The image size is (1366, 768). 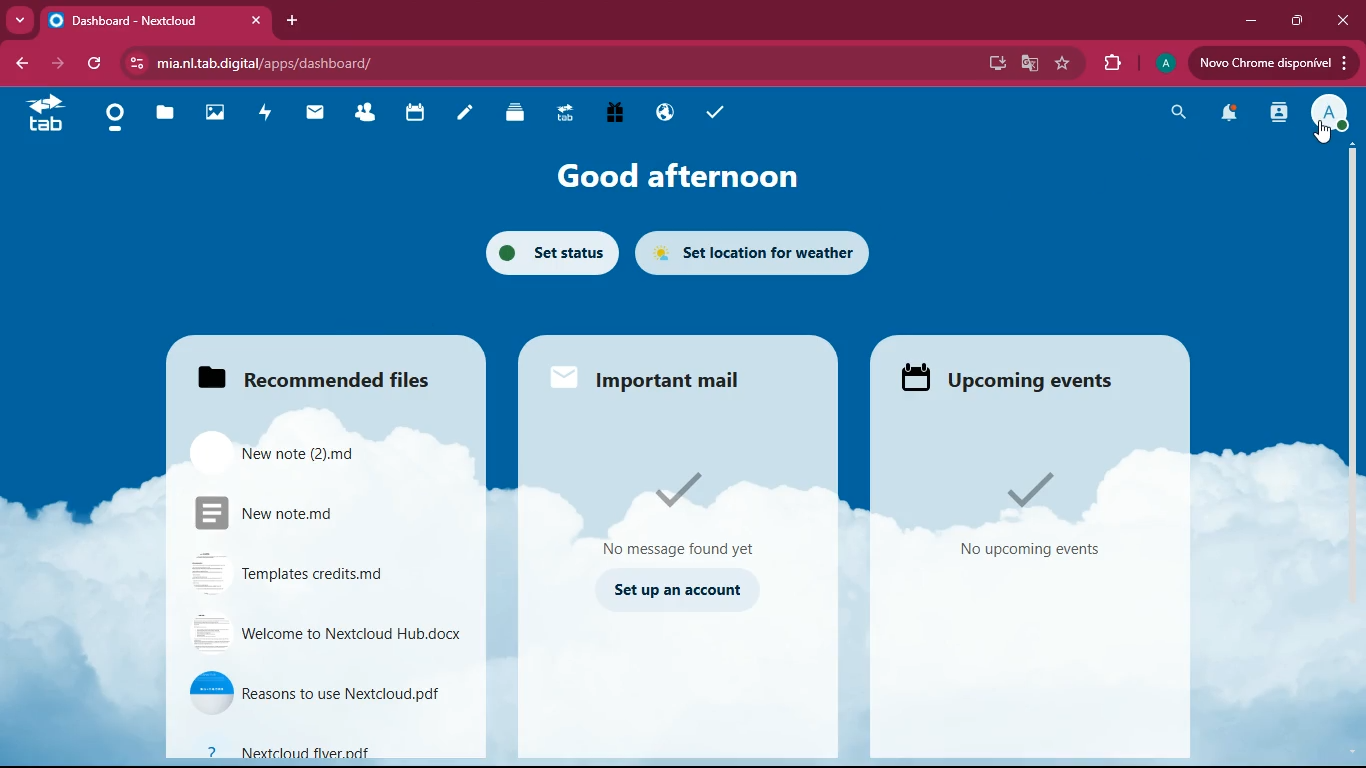 What do you see at coordinates (1328, 114) in the screenshot?
I see `profile` at bounding box center [1328, 114].